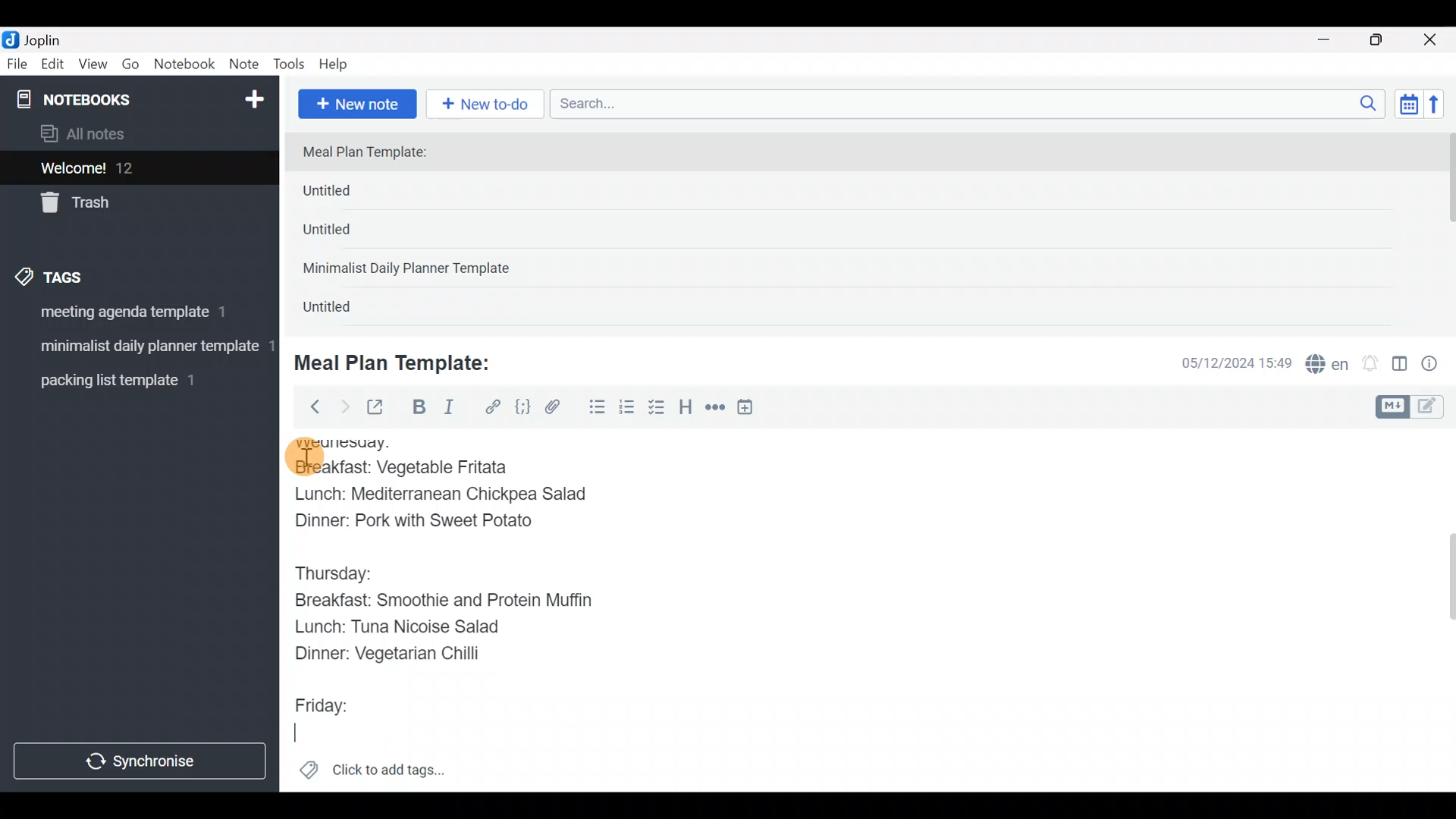  Describe the element at coordinates (411, 270) in the screenshot. I see `Minimalist Daily Planner Template` at that location.